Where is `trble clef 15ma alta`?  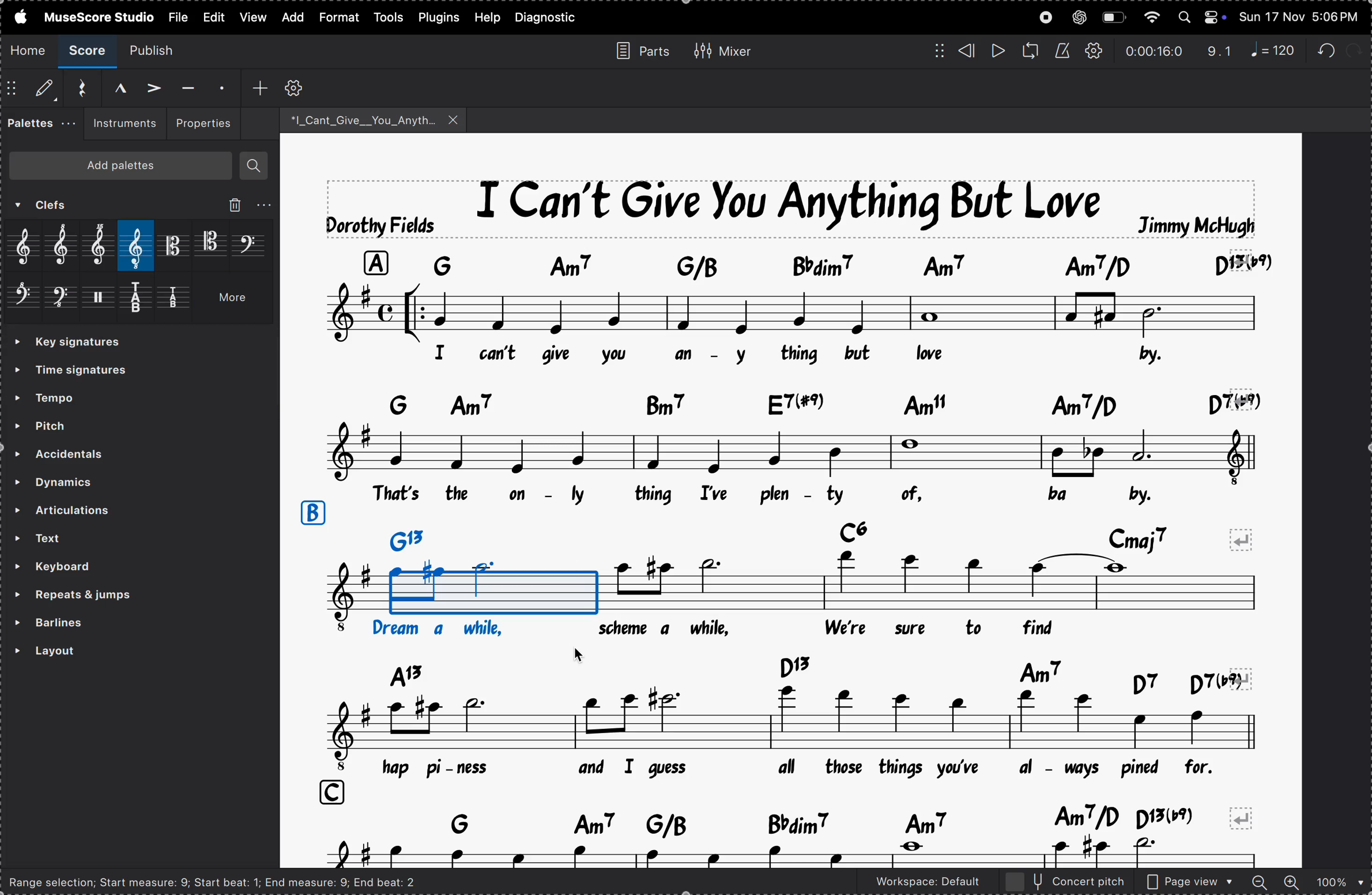 trble clef 15ma alta is located at coordinates (103, 247).